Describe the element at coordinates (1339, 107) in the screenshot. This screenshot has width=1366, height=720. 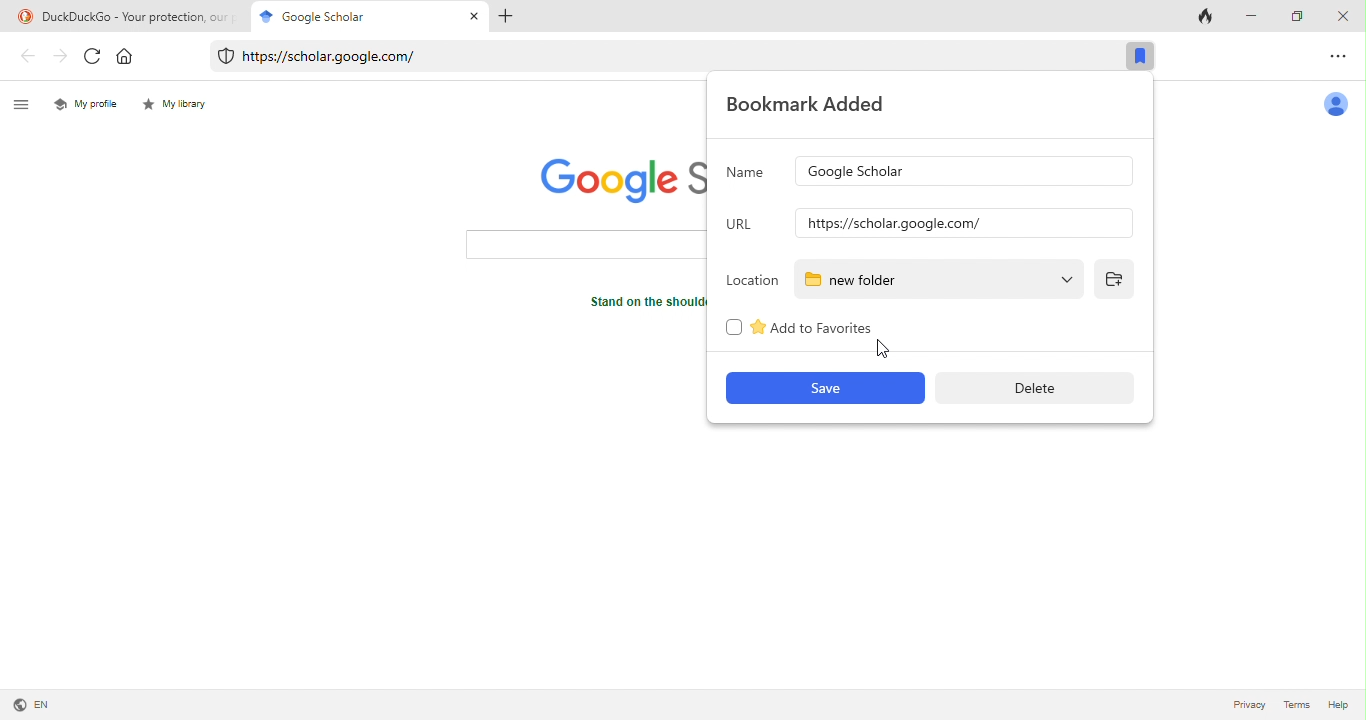
I see `account` at that location.